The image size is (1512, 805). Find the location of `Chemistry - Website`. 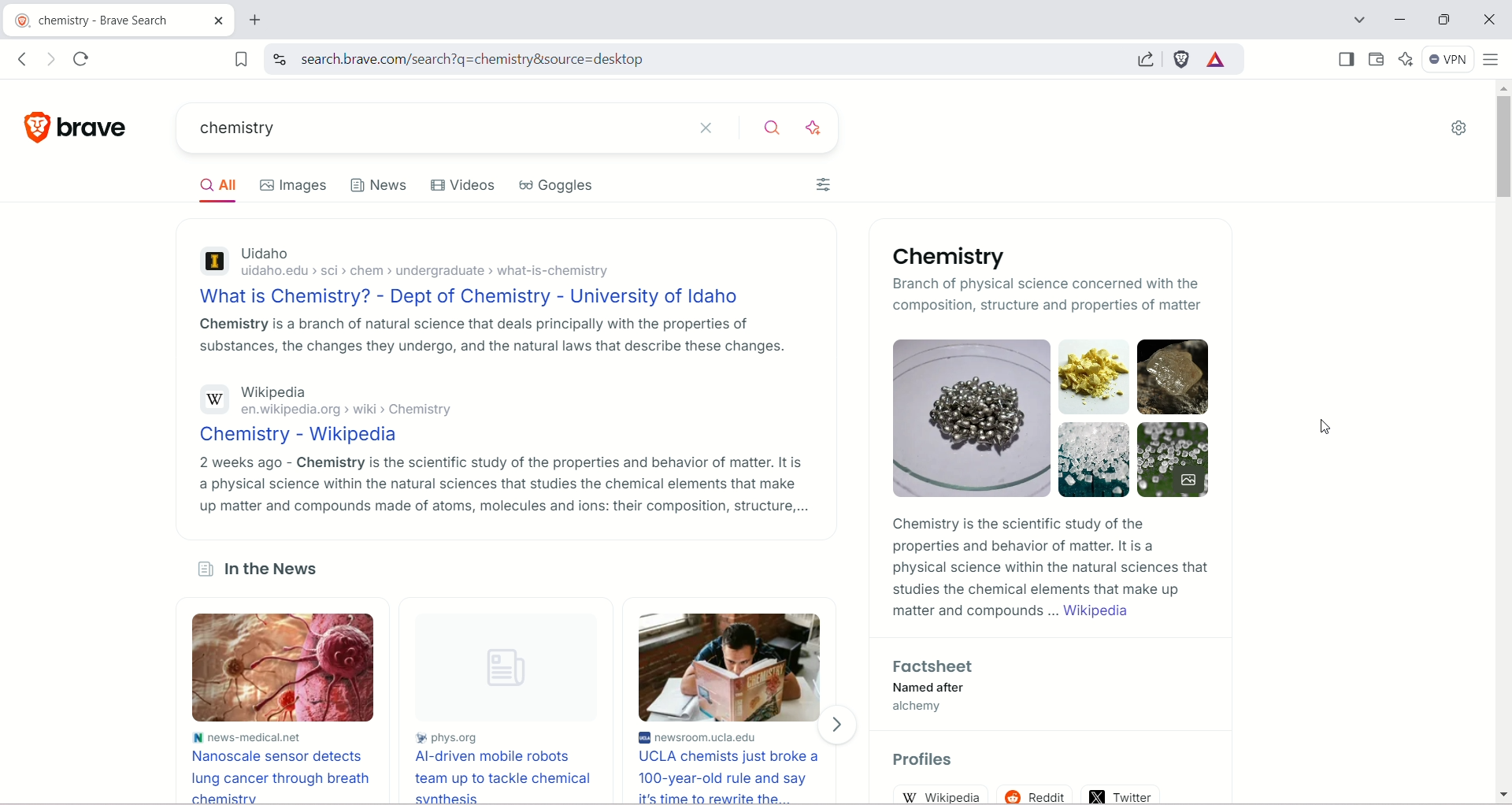

Chemistry - Website is located at coordinates (295, 433).